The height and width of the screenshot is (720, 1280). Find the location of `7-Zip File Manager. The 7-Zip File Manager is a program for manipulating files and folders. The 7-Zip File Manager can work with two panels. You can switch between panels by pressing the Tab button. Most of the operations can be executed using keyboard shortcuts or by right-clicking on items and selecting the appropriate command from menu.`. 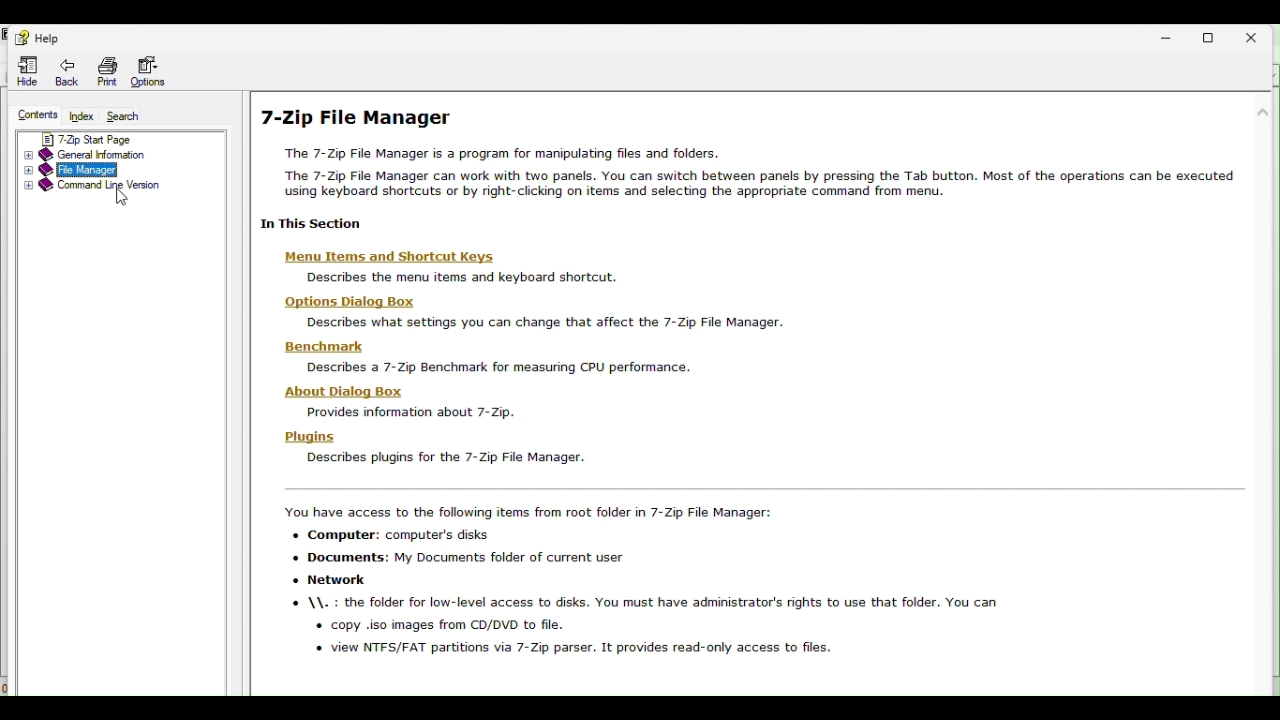

7-Zip File Manager. The 7-Zip File Manager is a program for manipulating files and folders. The 7-Zip File Manager can work with two panels. You can switch between panels by pressing the Tab button. Most of the operations can be executed using keyboard shortcuts or by right-clicking on items and selecting the appropriate command from menu. is located at coordinates (749, 170).